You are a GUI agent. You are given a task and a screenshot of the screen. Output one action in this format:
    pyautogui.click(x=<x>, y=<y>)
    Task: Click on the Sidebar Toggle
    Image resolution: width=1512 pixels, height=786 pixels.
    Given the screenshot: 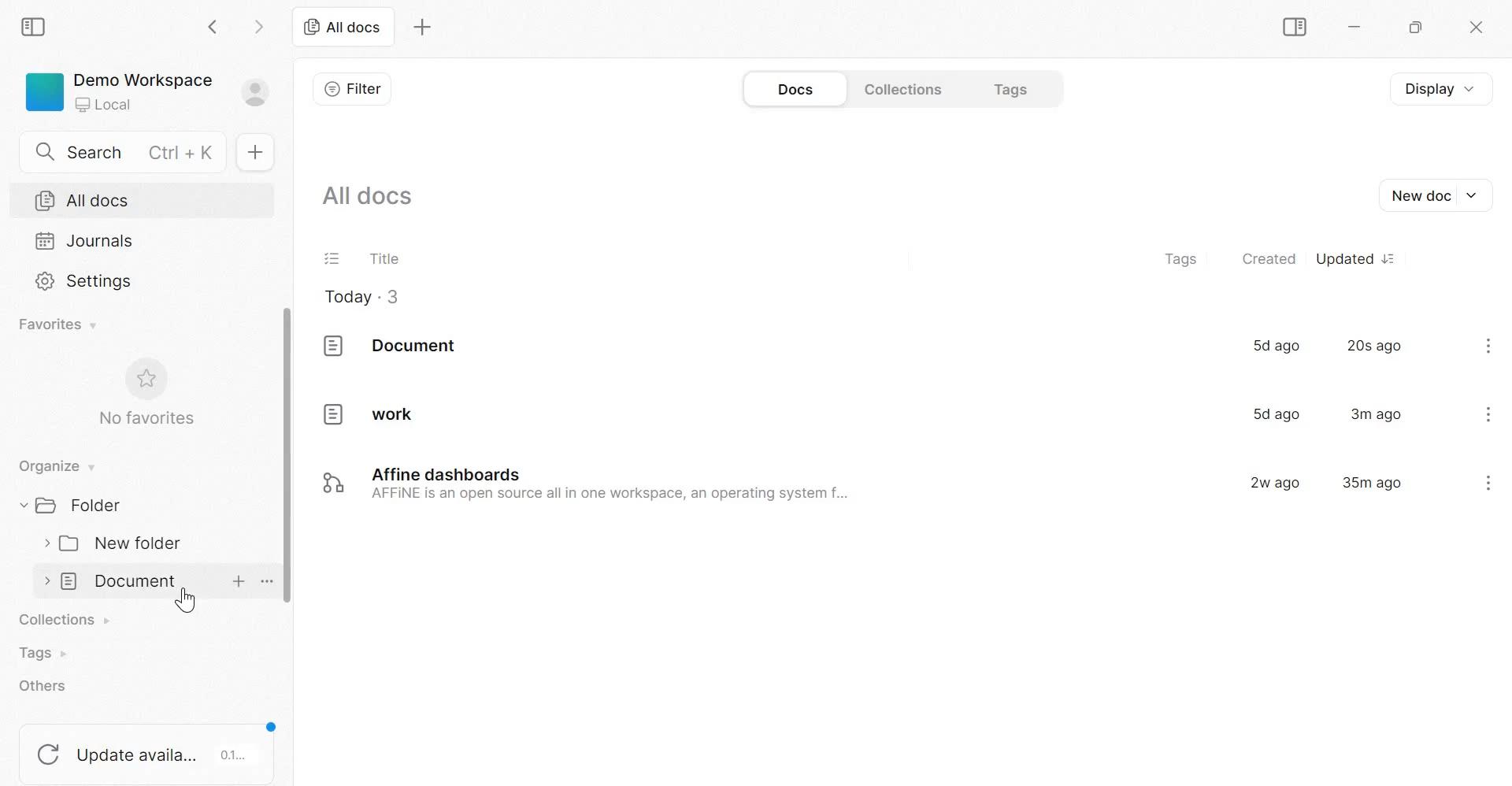 What is the action you would take?
    pyautogui.click(x=37, y=26)
    